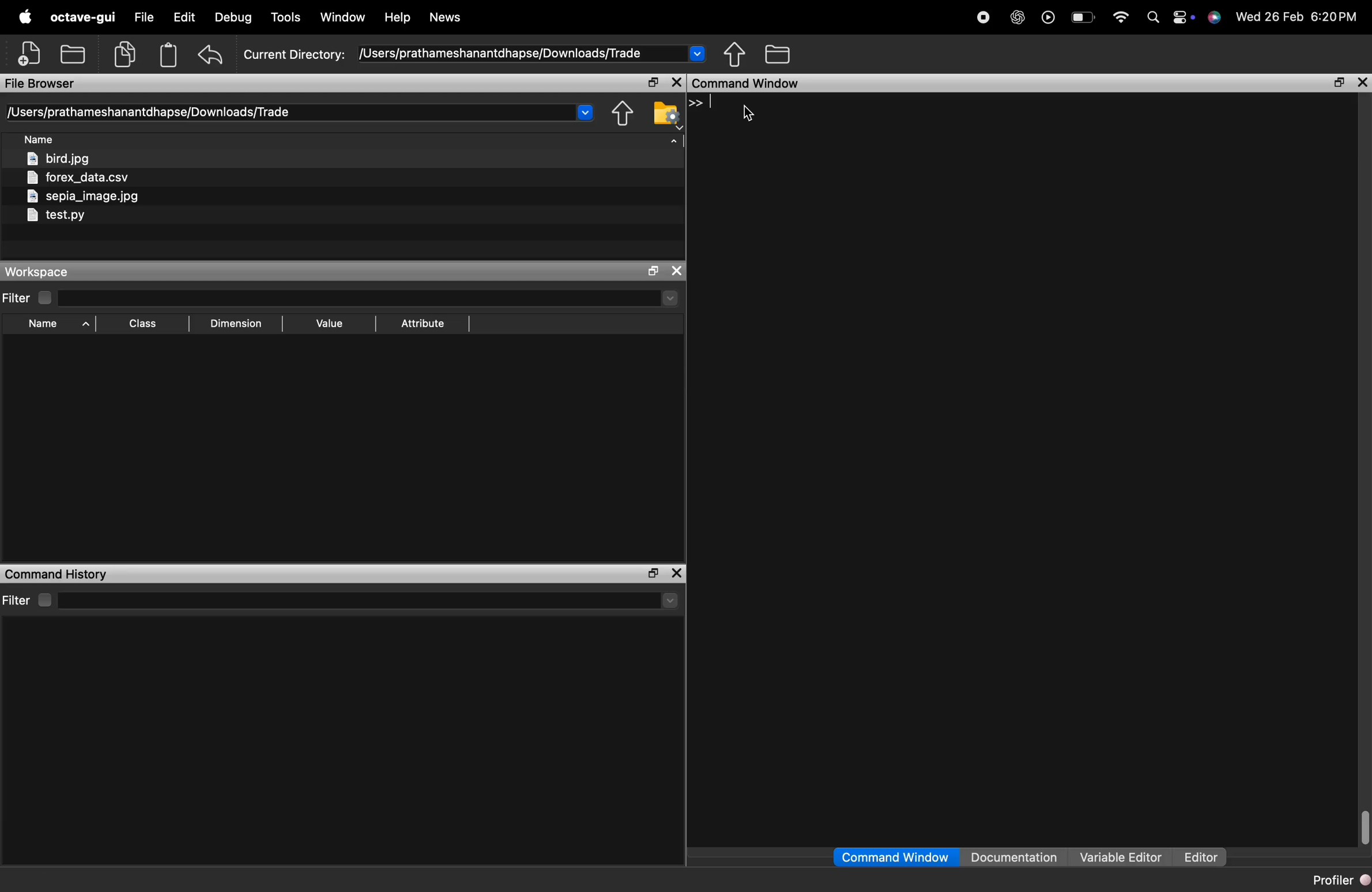  What do you see at coordinates (125, 54) in the screenshot?
I see `duplicate` at bounding box center [125, 54].